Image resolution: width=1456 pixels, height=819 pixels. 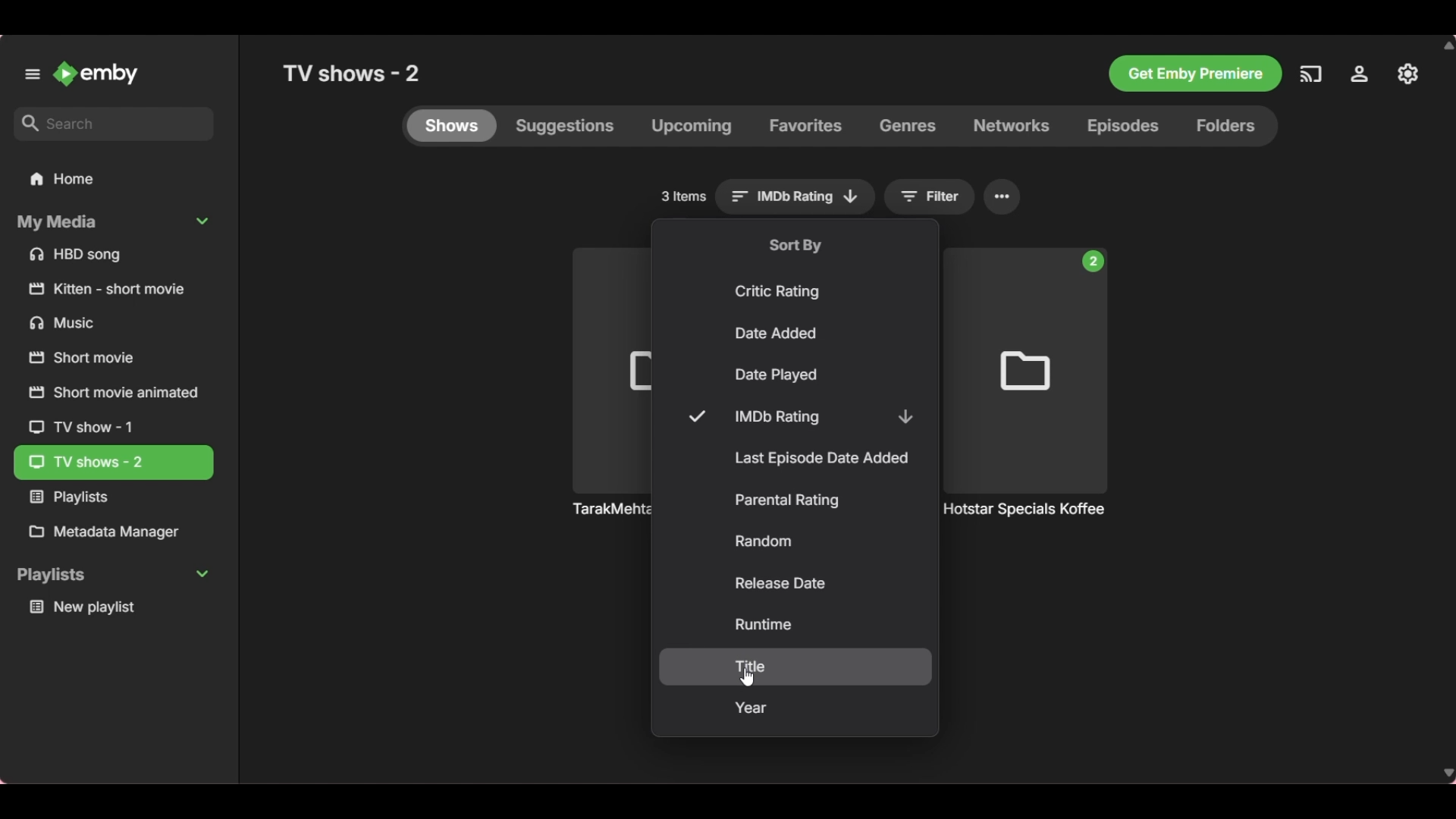 What do you see at coordinates (112, 223) in the screenshot?
I see `Collapse My Media` at bounding box center [112, 223].